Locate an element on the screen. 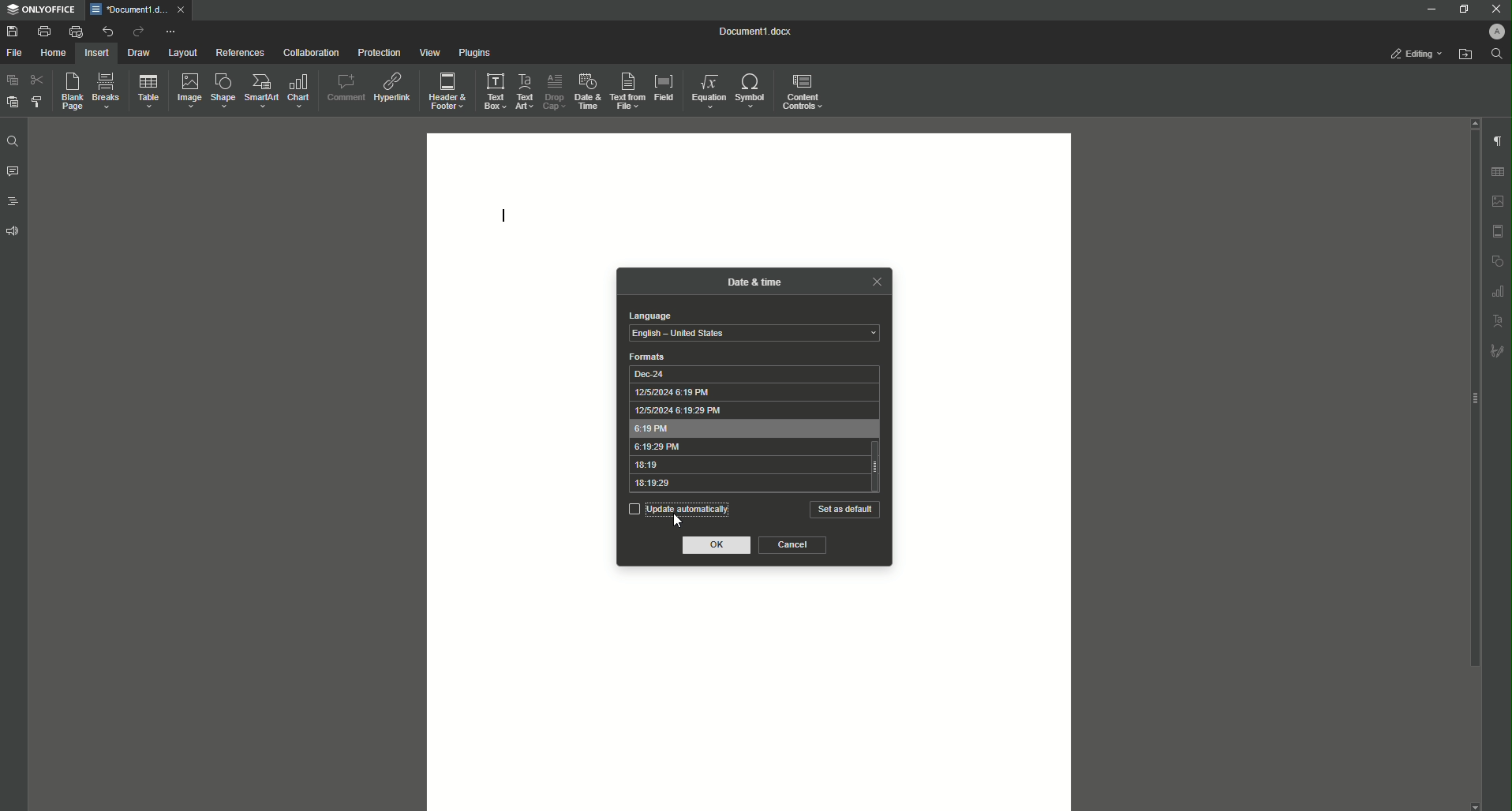 Image resolution: width=1512 pixels, height=811 pixels. scroll up is located at coordinates (1473, 122).